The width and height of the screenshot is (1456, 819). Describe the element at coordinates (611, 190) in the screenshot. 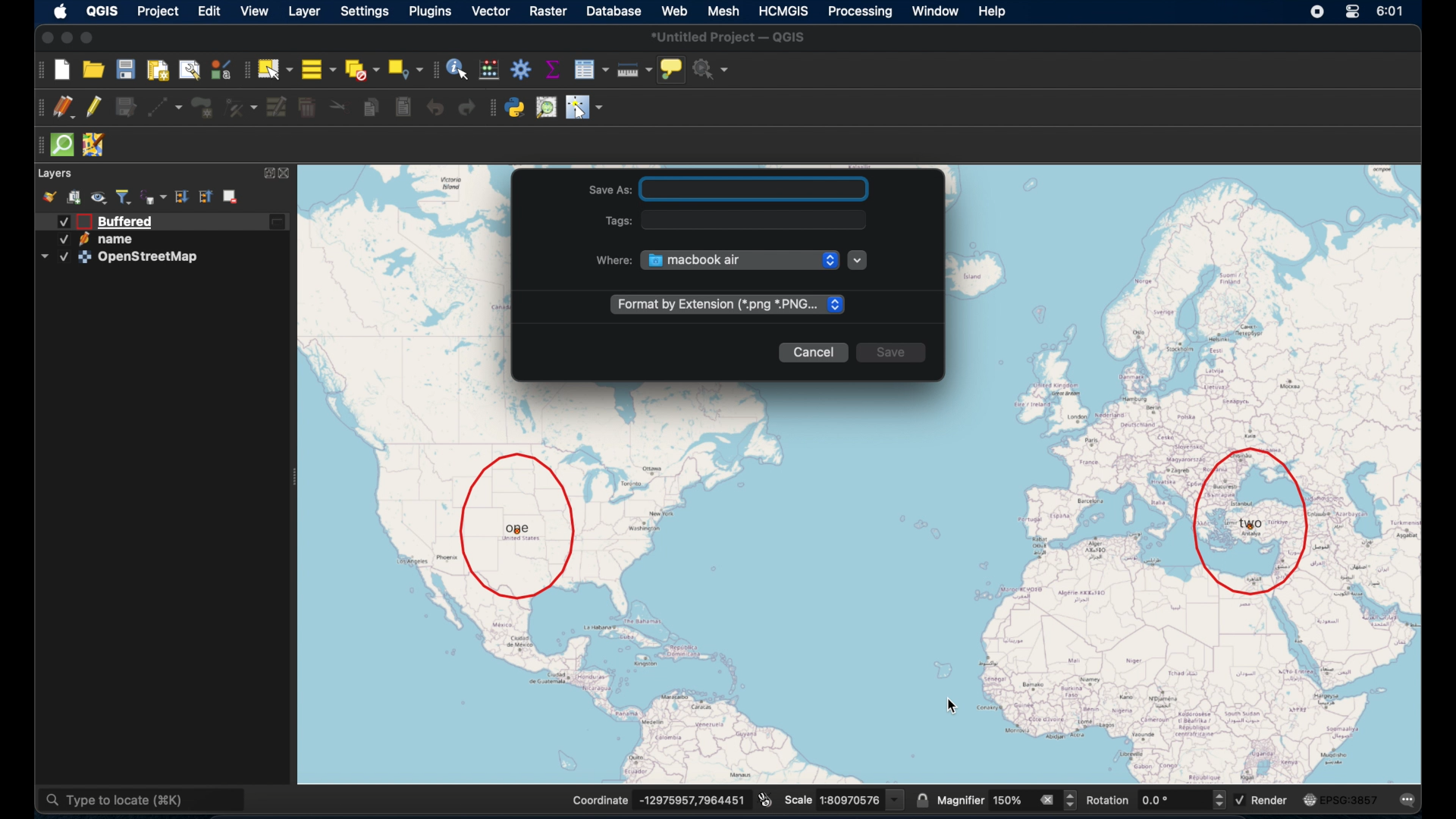

I see `Save As` at that location.